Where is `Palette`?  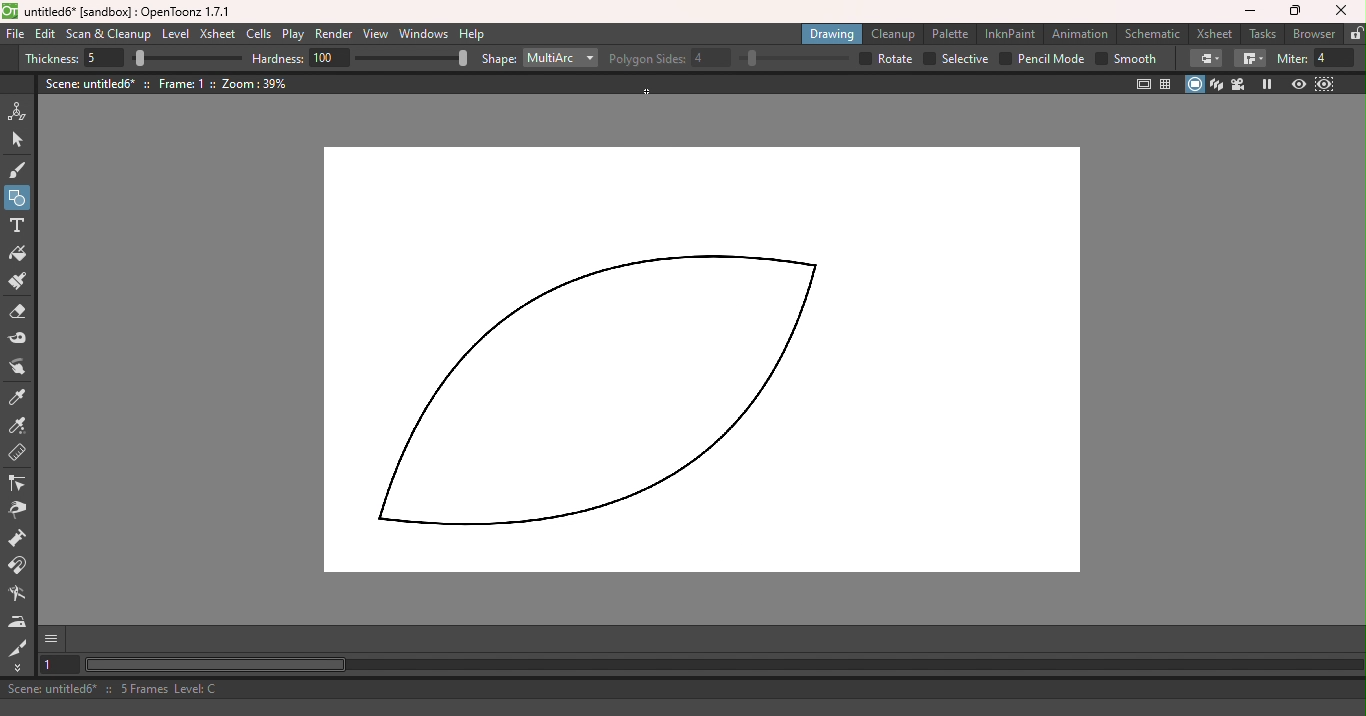
Palette is located at coordinates (949, 34).